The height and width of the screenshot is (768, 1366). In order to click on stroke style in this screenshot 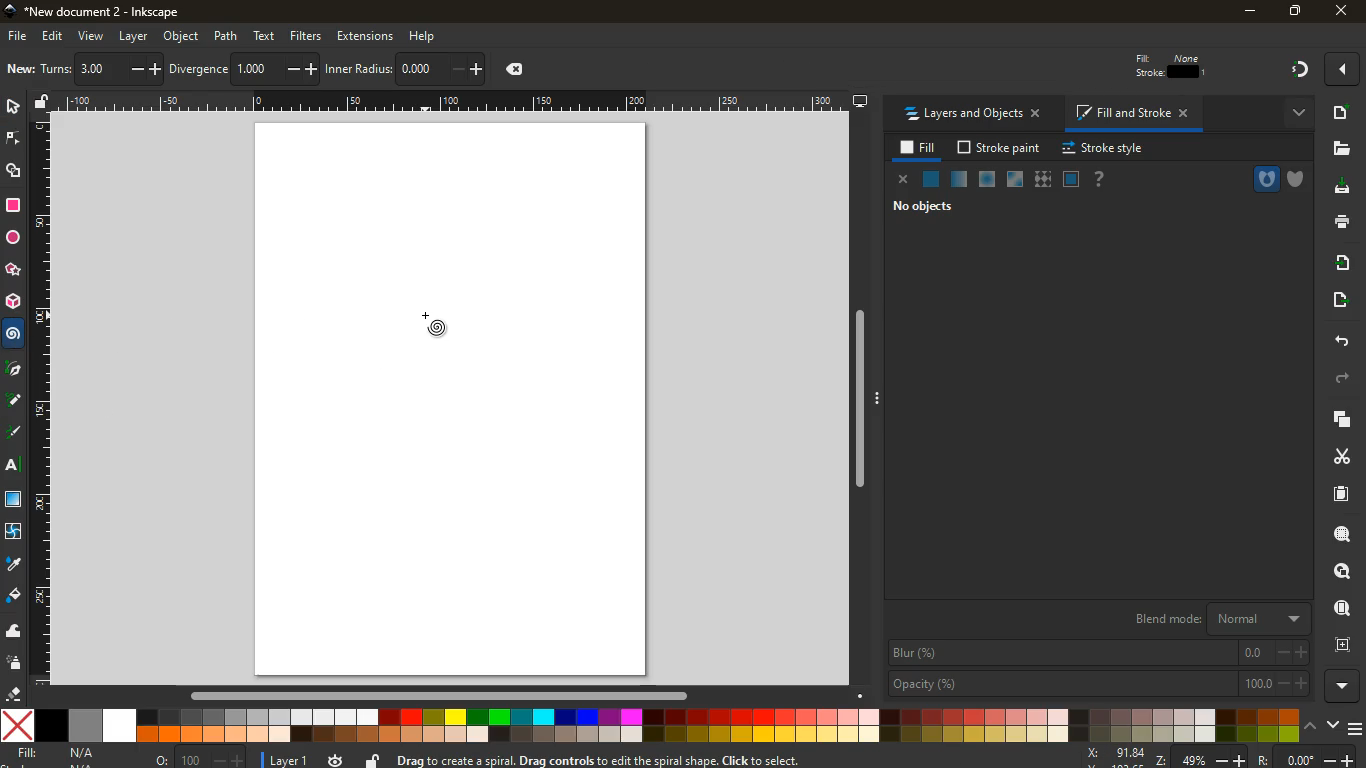, I will do `click(1106, 149)`.